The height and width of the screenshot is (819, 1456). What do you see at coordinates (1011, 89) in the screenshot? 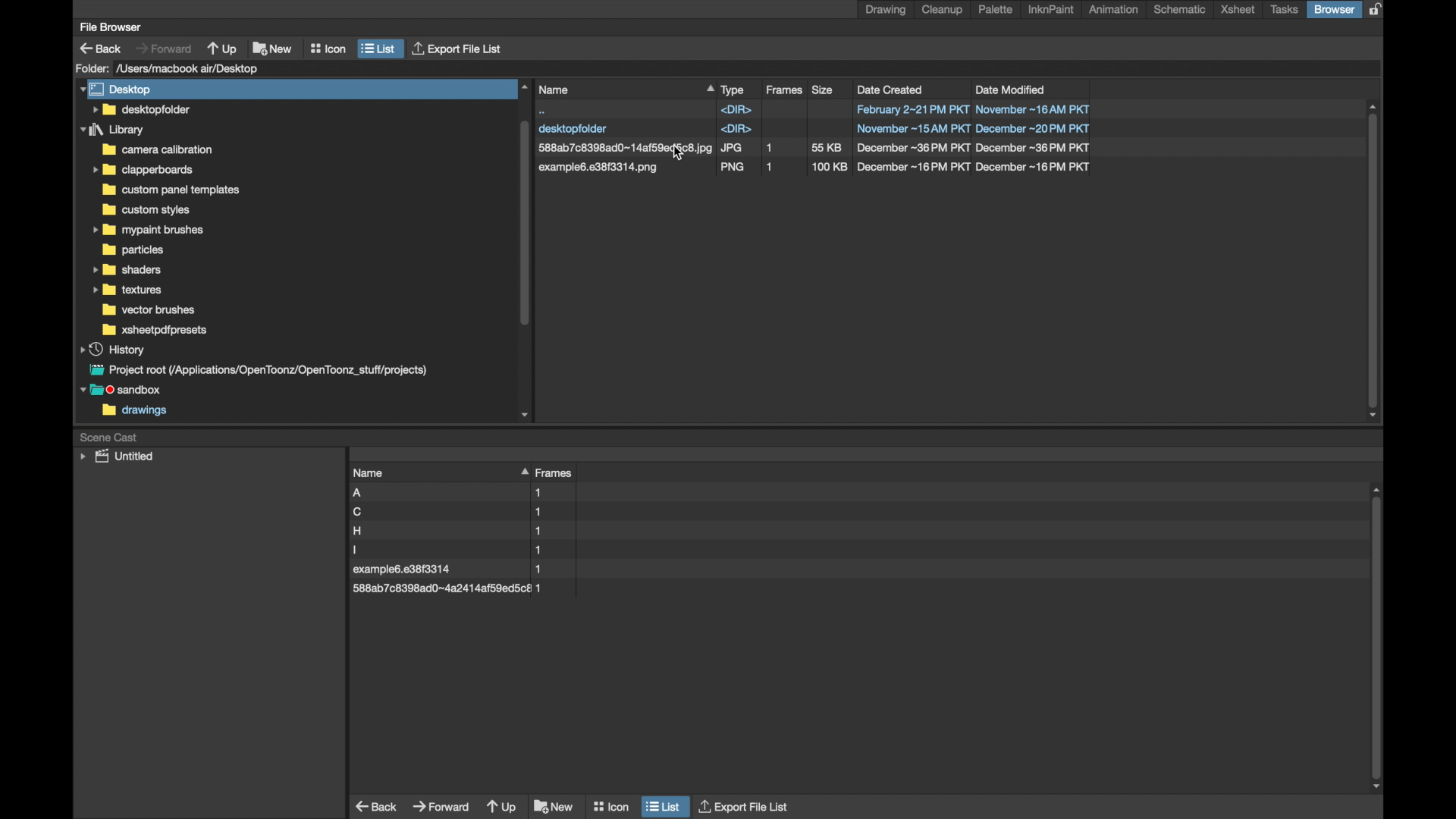
I see `date modified` at bounding box center [1011, 89].